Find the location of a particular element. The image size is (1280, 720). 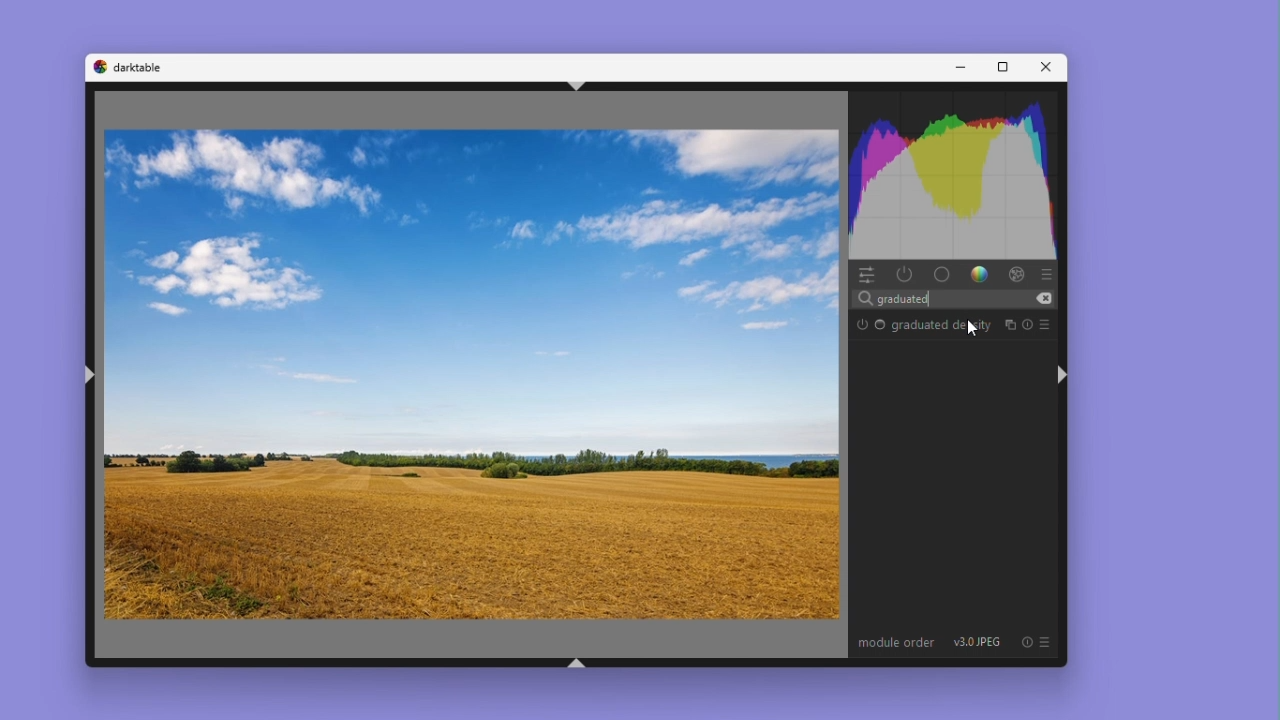

darktable is located at coordinates (143, 67).